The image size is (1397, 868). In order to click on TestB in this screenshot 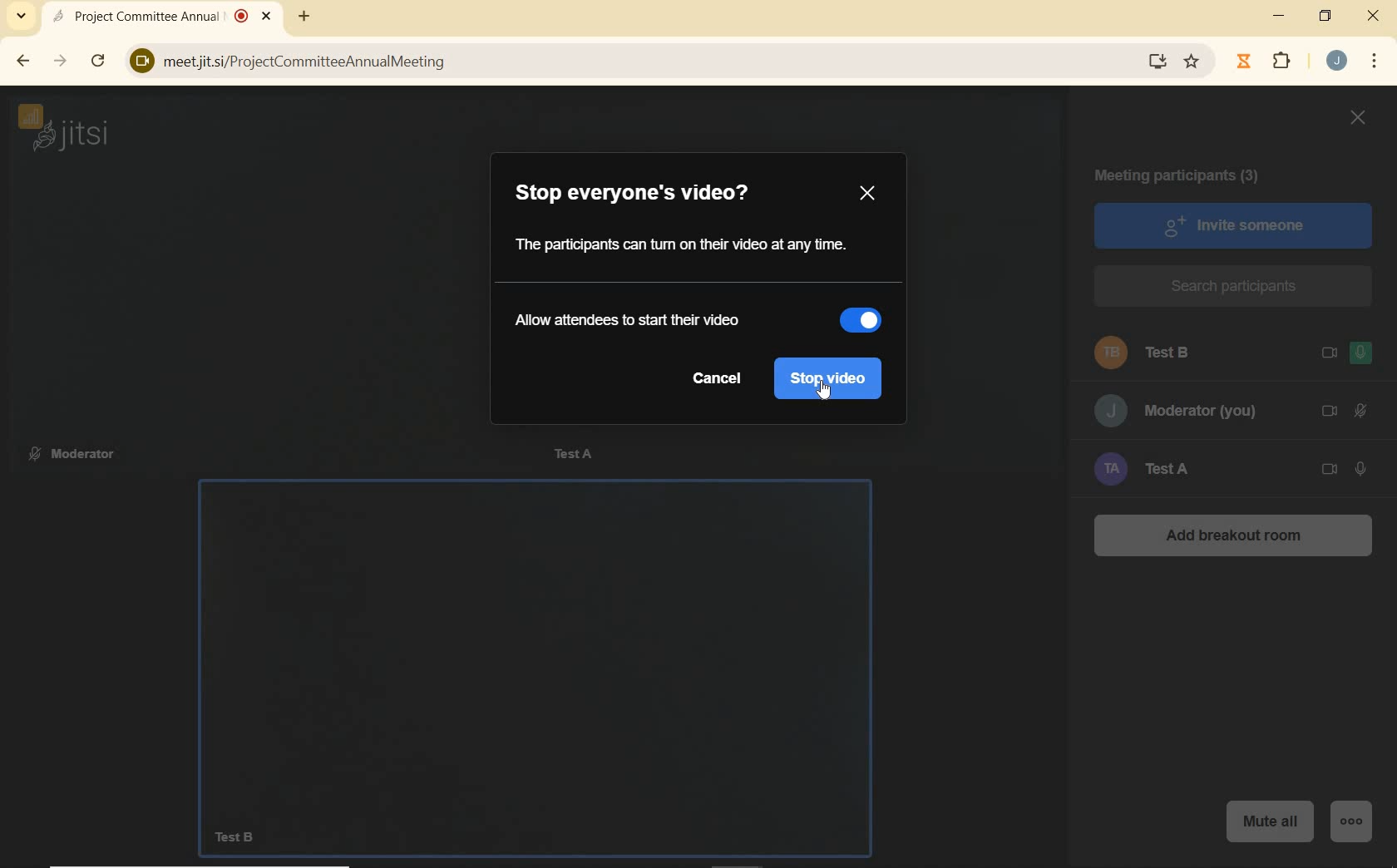, I will do `click(237, 836)`.